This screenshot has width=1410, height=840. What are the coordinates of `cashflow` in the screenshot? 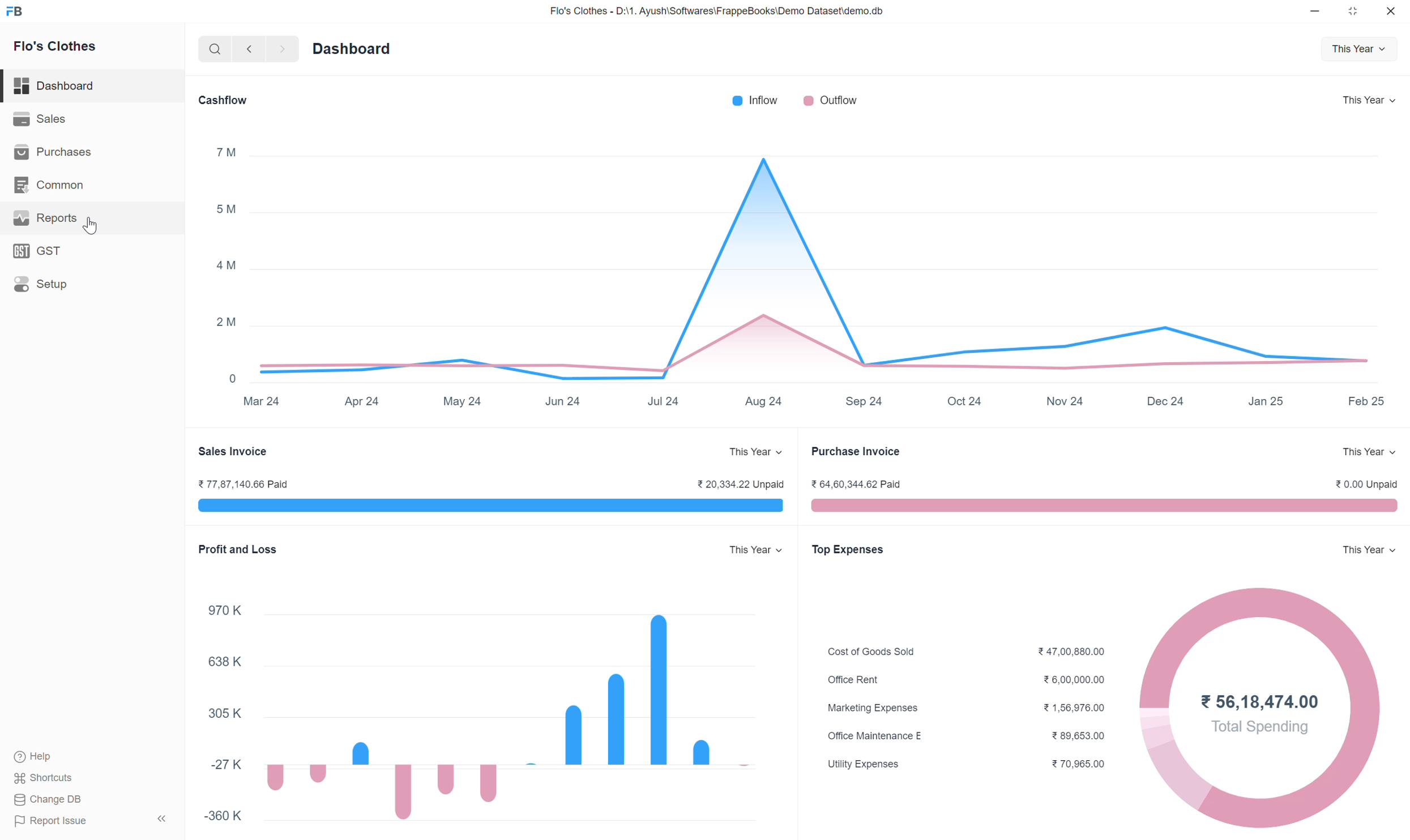 It's located at (220, 98).